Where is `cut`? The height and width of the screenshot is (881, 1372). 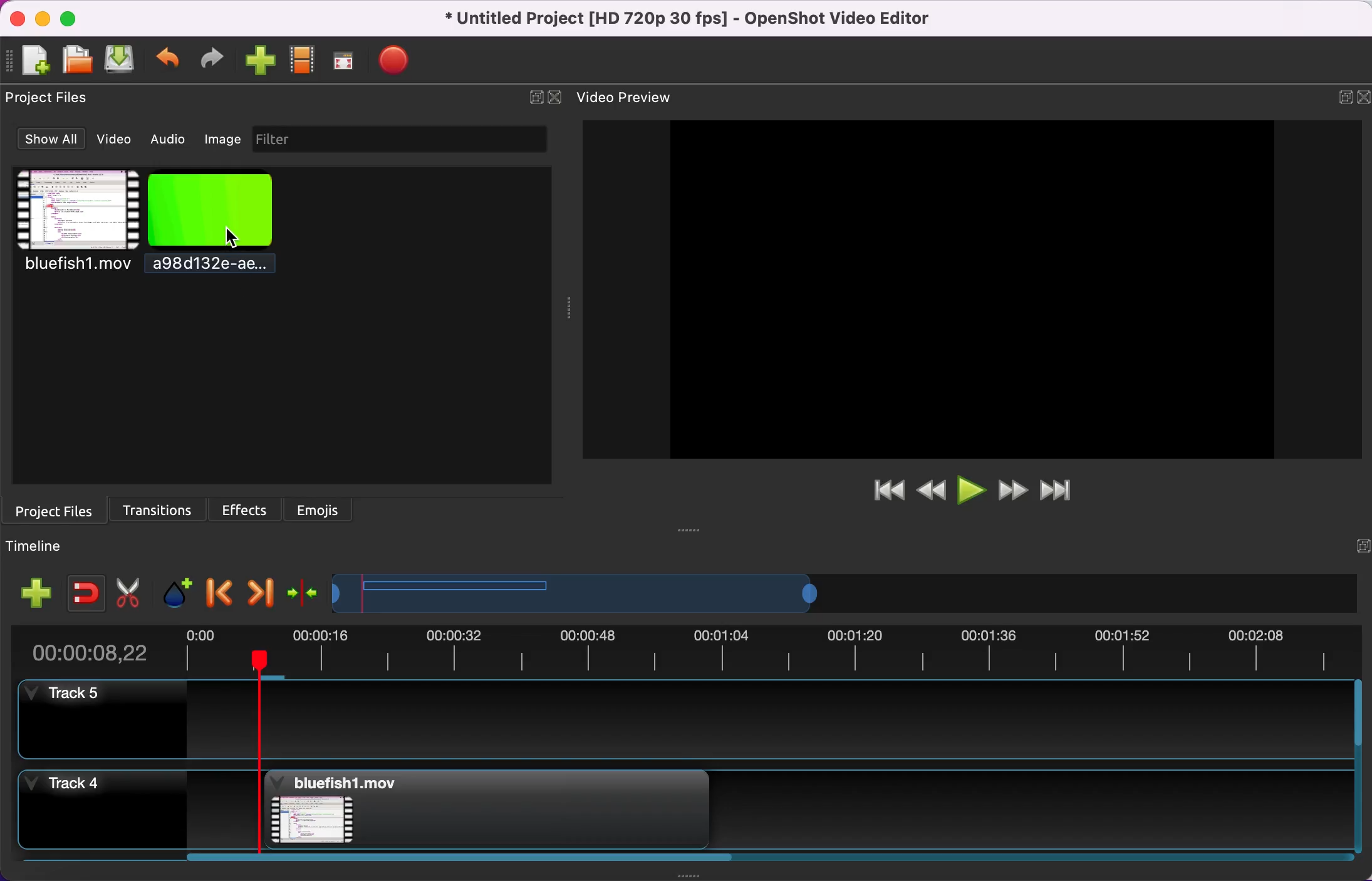
cut is located at coordinates (130, 590).